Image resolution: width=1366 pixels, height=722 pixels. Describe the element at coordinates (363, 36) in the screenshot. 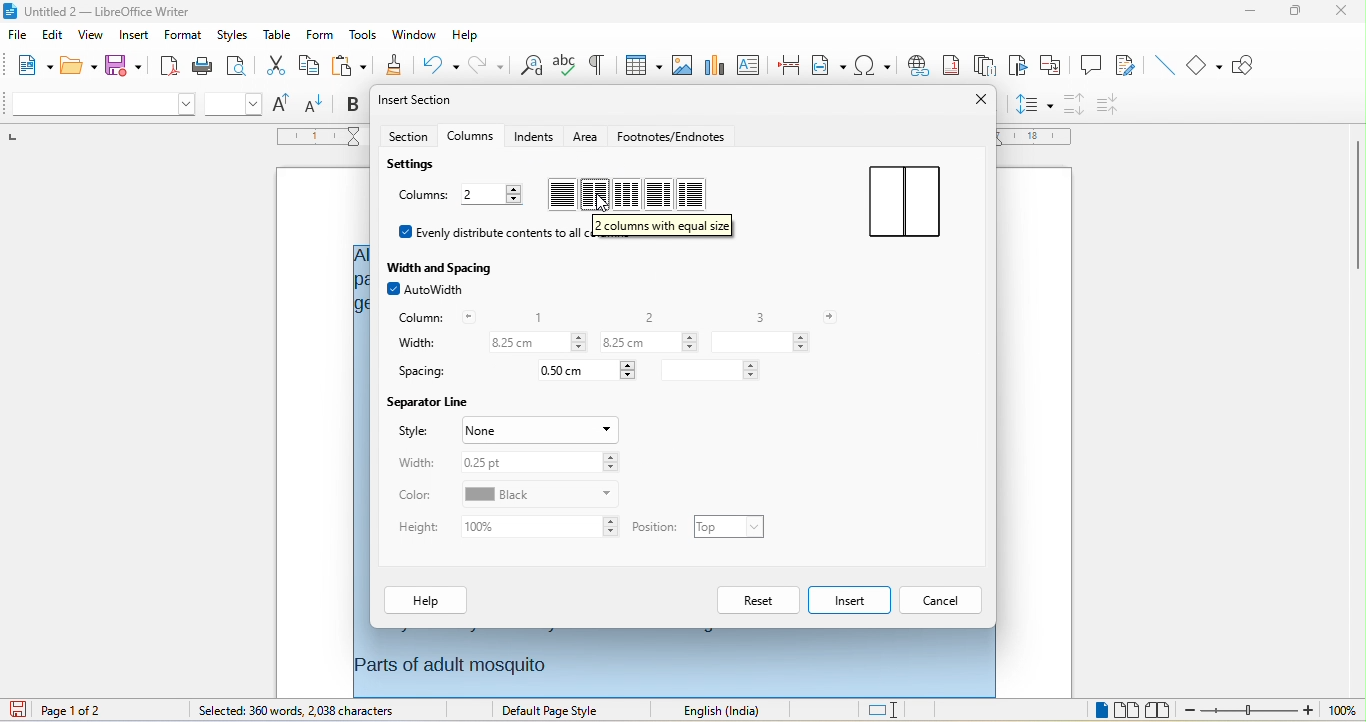

I see `tools` at that location.